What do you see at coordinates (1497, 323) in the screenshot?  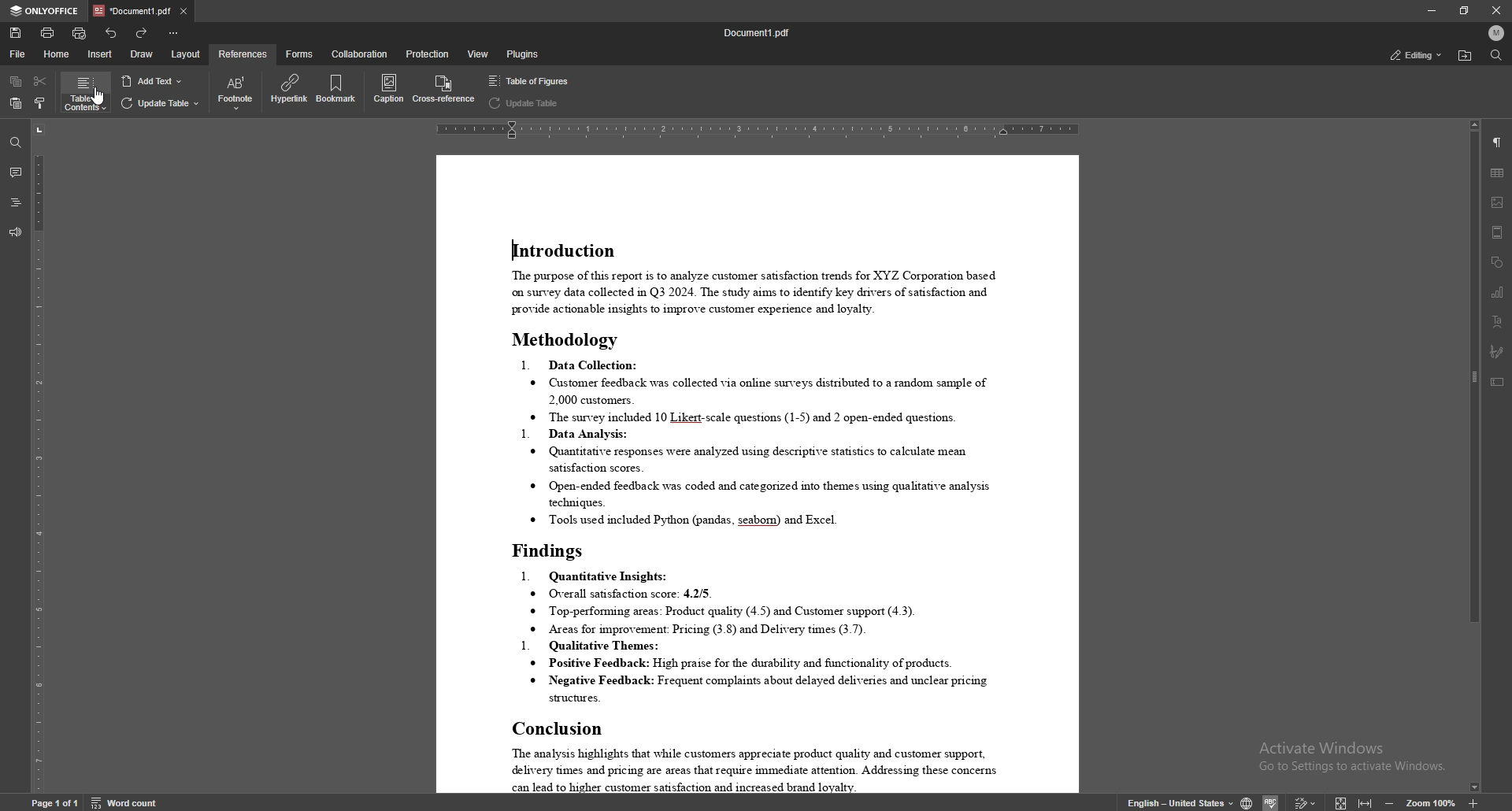 I see `text art` at bounding box center [1497, 323].